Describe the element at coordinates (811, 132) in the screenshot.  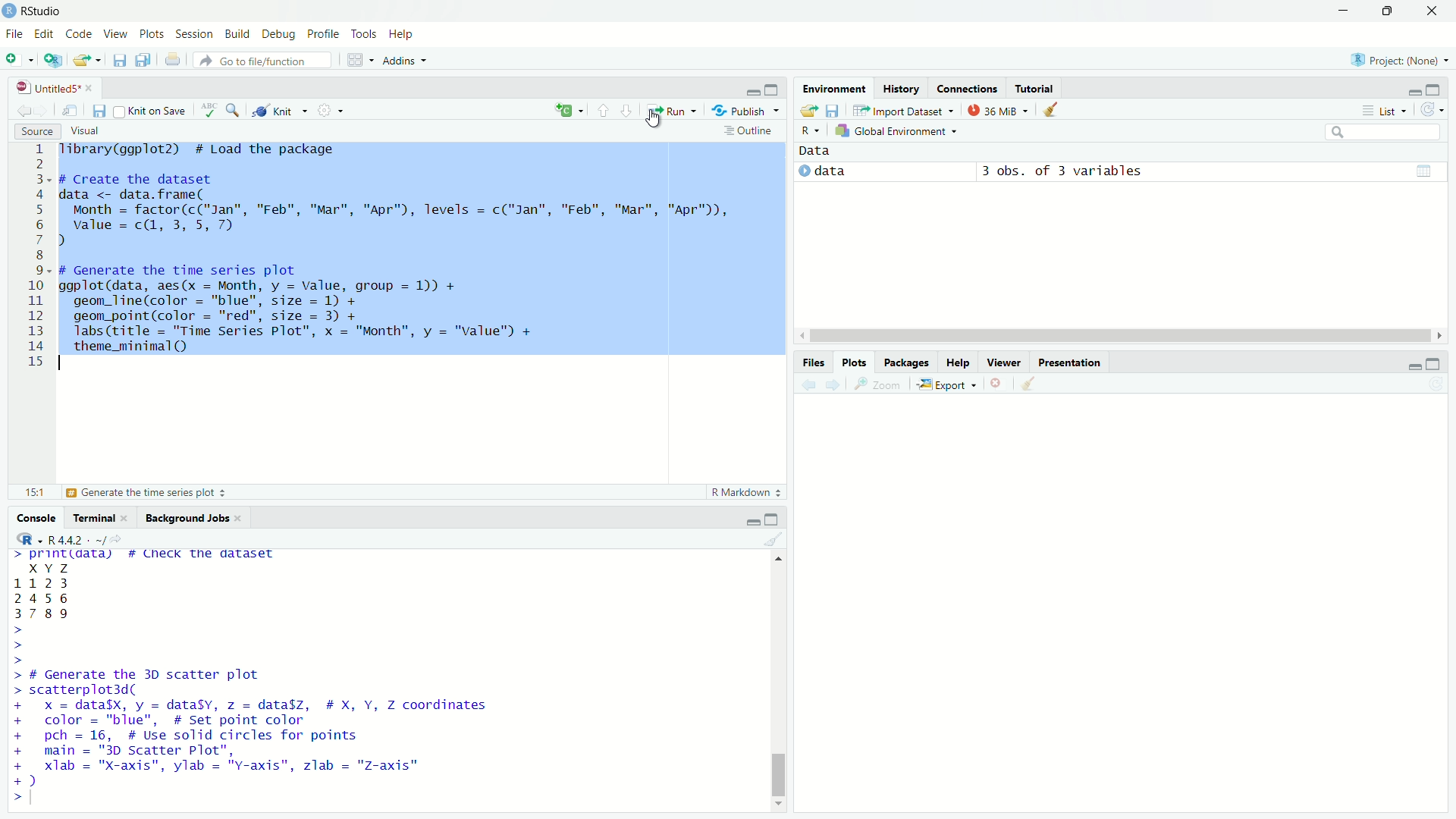
I see `select language` at that location.